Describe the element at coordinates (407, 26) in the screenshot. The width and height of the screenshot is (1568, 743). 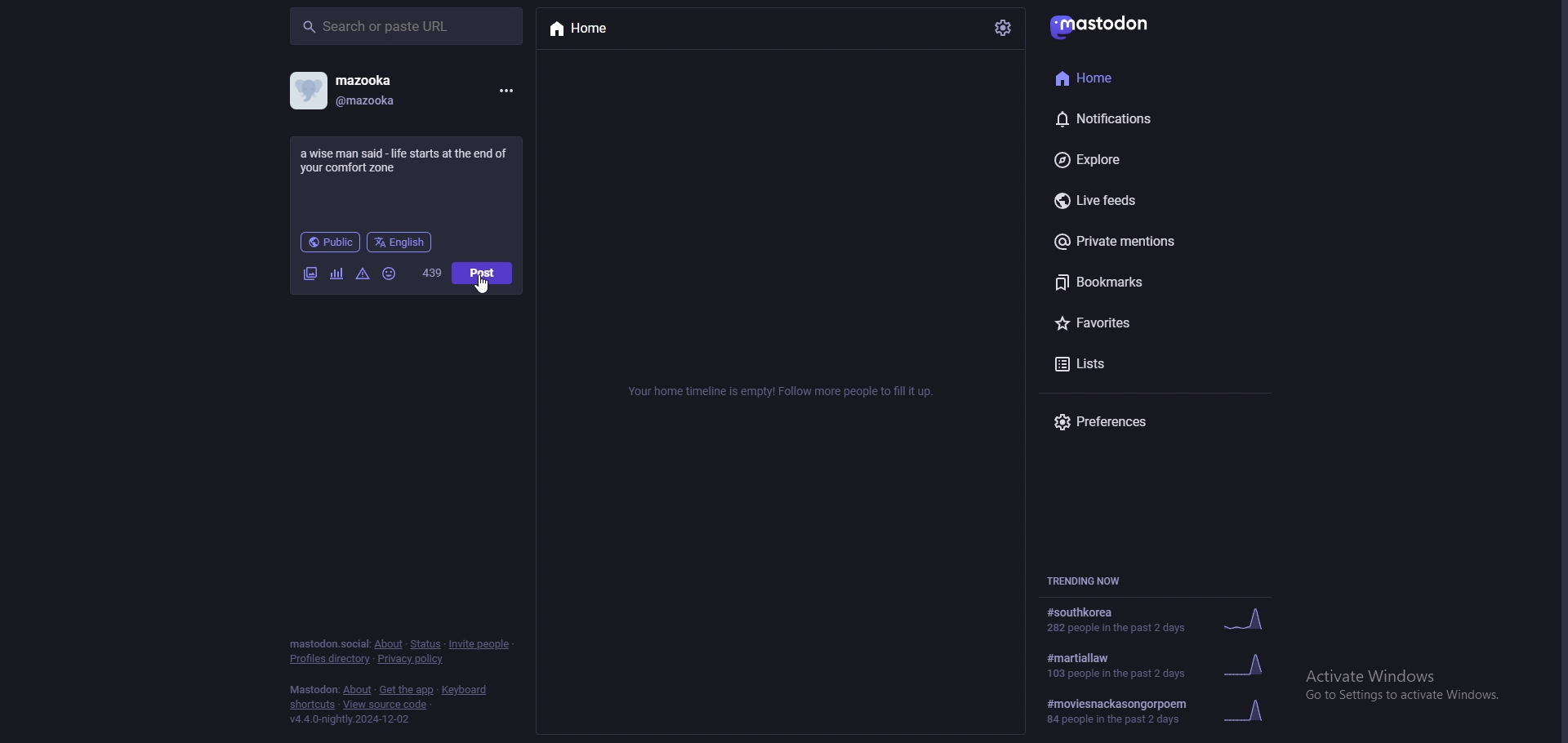
I see `search` at that location.